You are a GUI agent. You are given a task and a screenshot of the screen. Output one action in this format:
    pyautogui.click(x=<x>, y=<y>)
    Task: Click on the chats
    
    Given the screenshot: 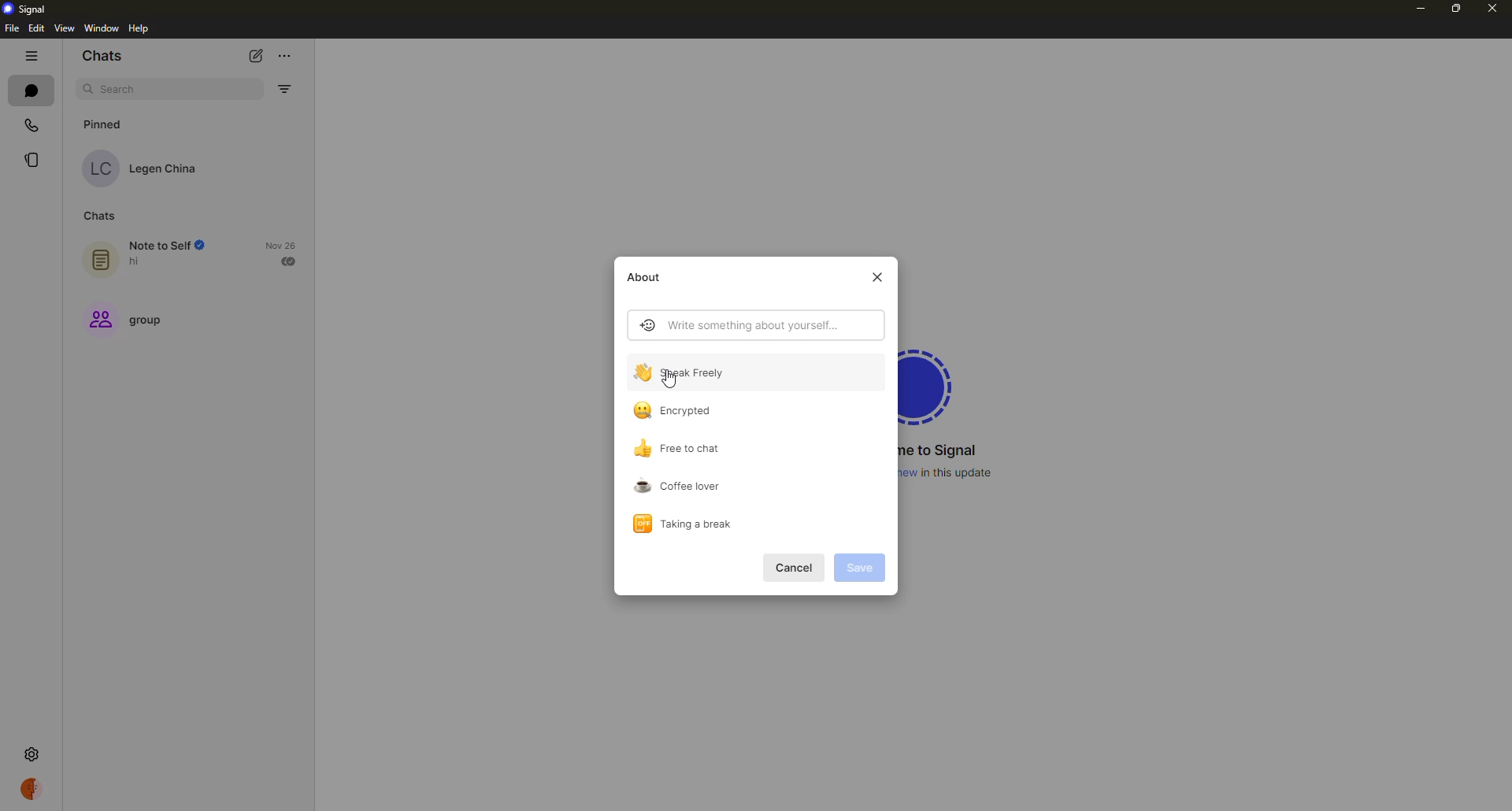 What is the action you would take?
    pyautogui.click(x=31, y=90)
    